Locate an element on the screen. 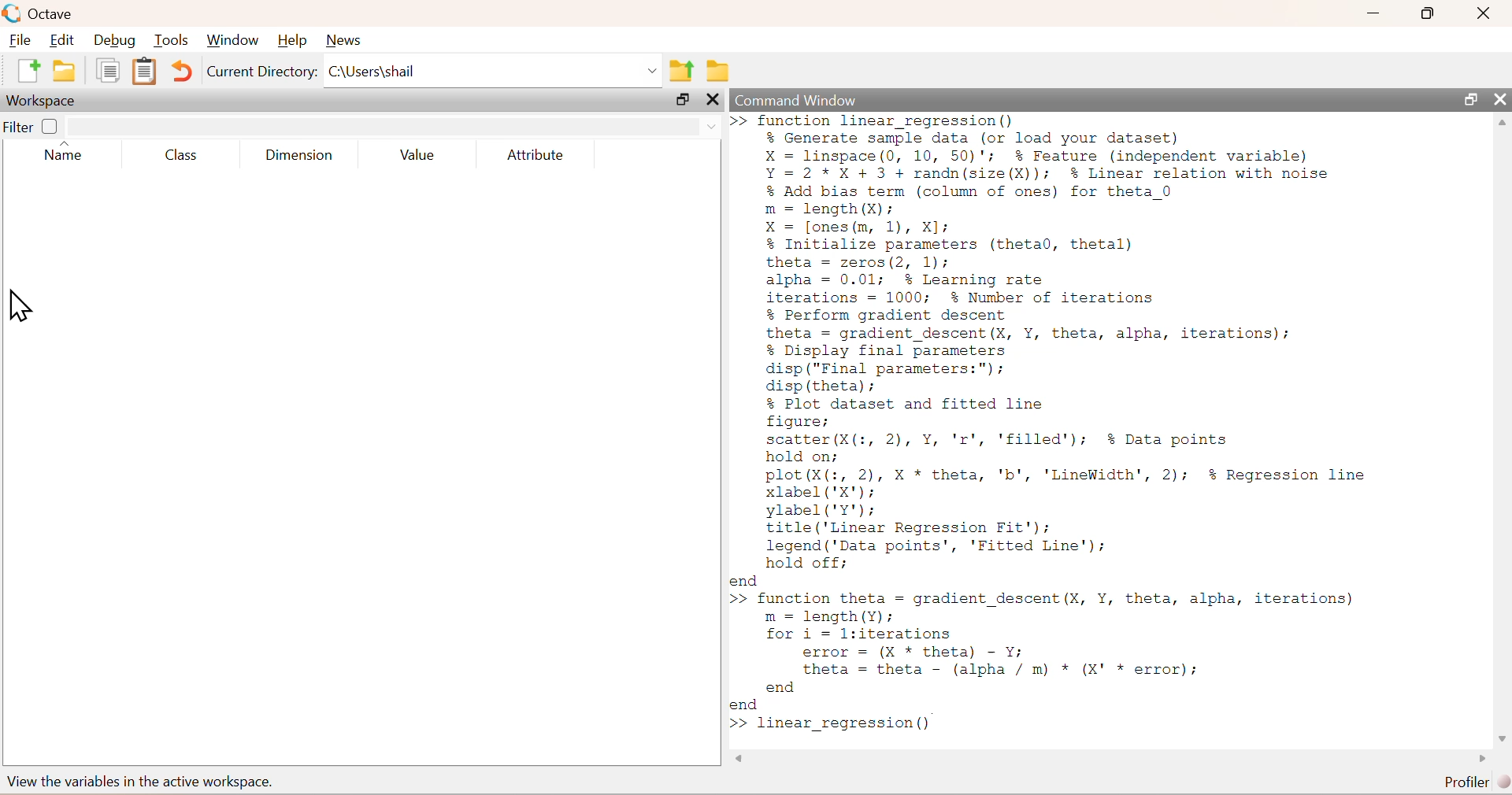 This screenshot has height=795, width=1512. >>function linear regression()% Generate sample data (or load your dataset)X = linspace(0, 10, 50)'; % Feature (independent variable)Y=2*X+ 3 + randn(size(X)); % Linear relation with noise% Add bias term (column of ones) for theta 0m = length (X):X = [ones (m, 1), X];% Initialize parameters (theta0, thetal) is located at coordinates (1033, 183).